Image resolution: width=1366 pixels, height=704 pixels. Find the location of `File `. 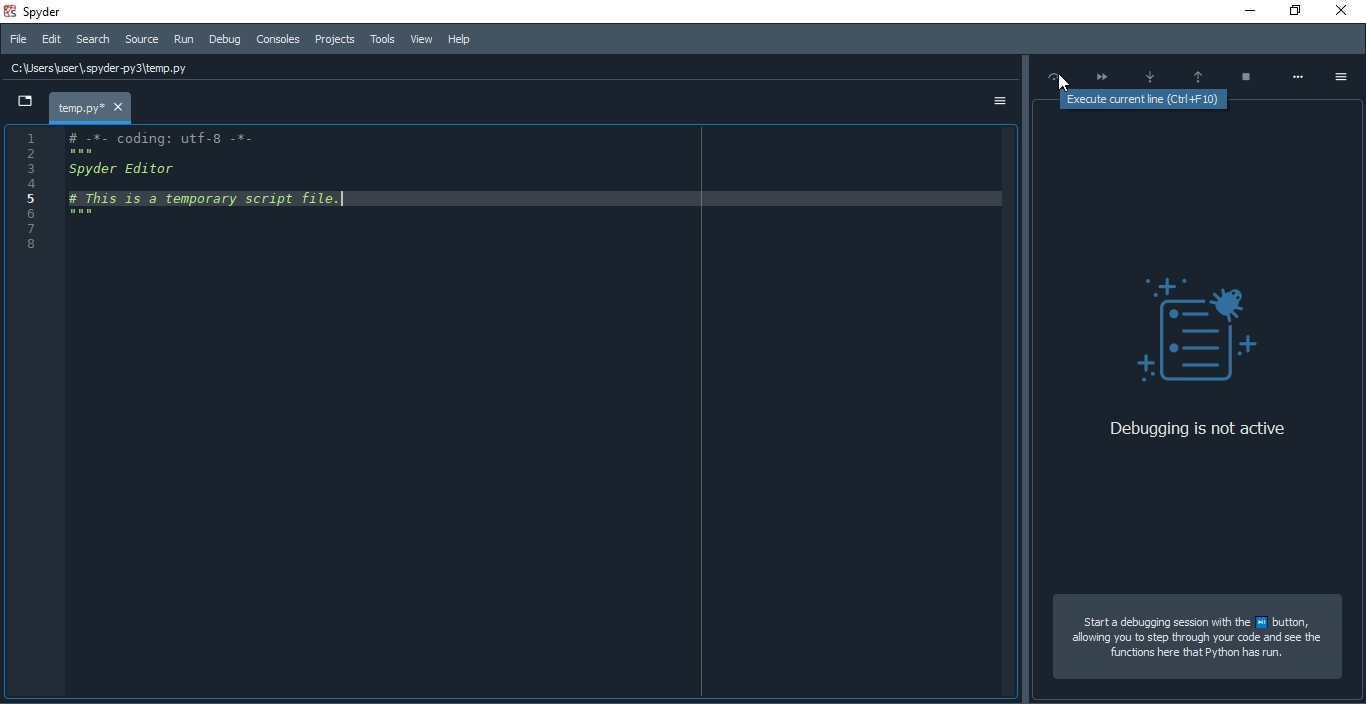

File  is located at coordinates (19, 38).